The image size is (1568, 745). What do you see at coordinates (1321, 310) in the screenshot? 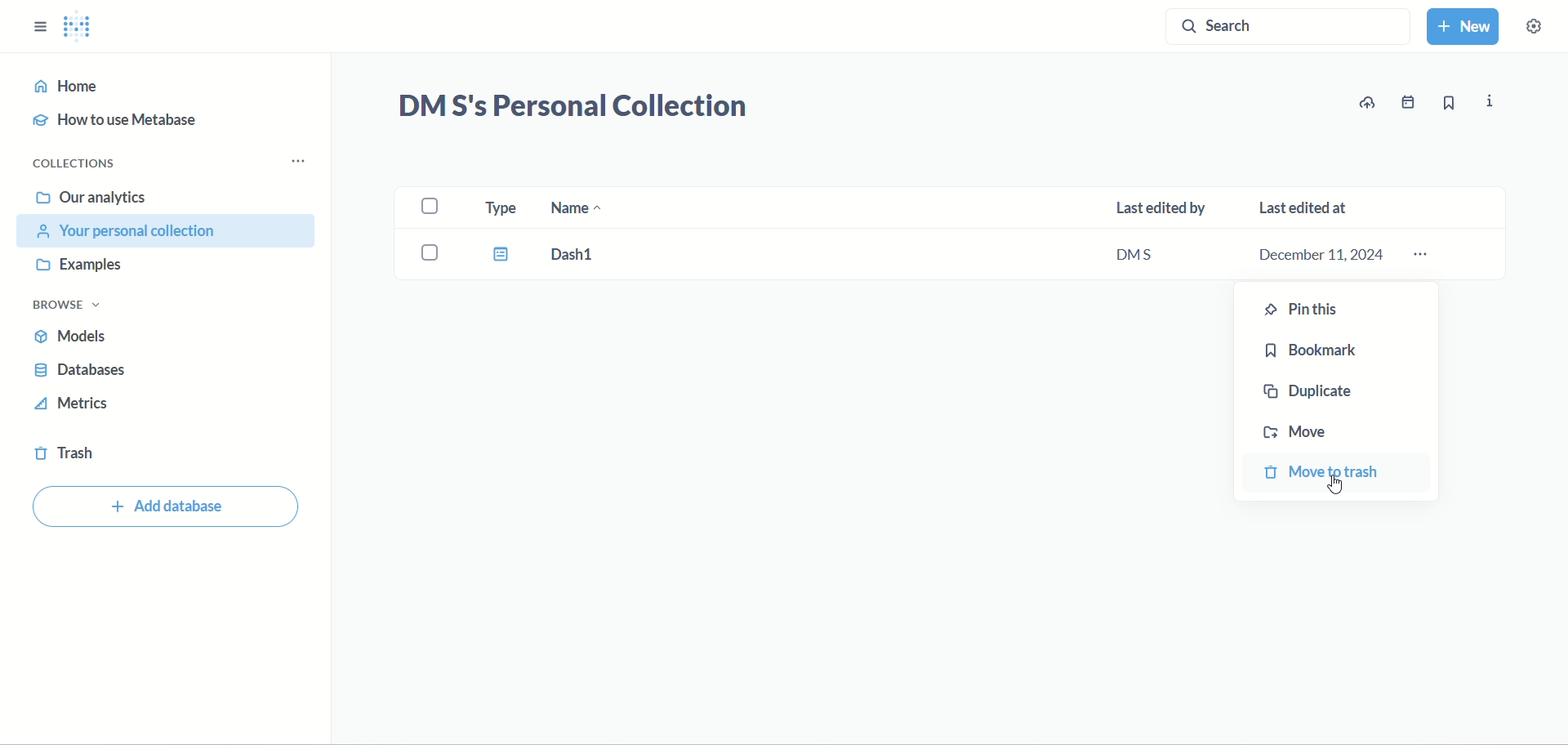
I see `pin this` at bounding box center [1321, 310].